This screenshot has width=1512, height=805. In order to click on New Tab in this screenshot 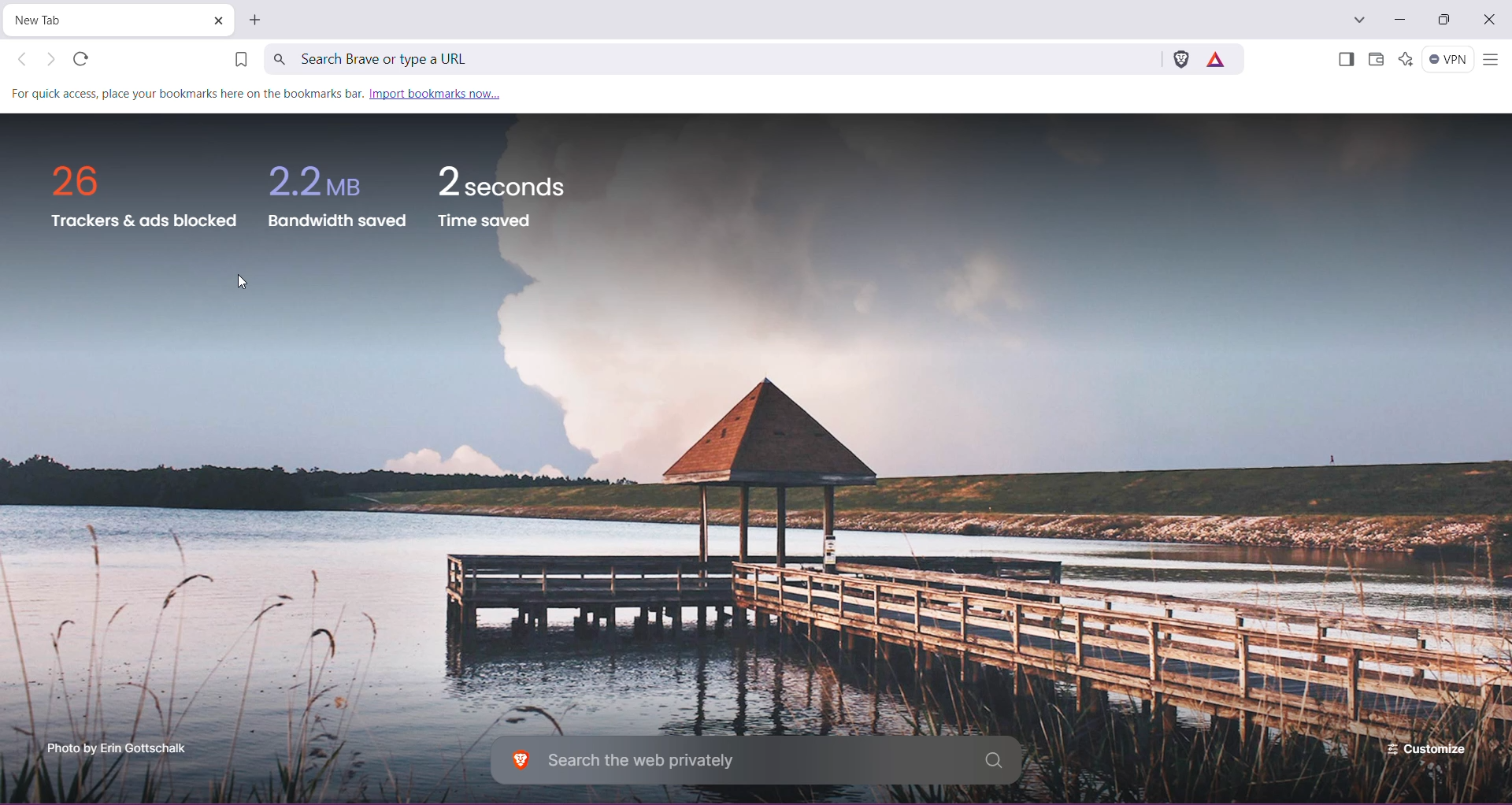, I will do `click(256, 20)`.